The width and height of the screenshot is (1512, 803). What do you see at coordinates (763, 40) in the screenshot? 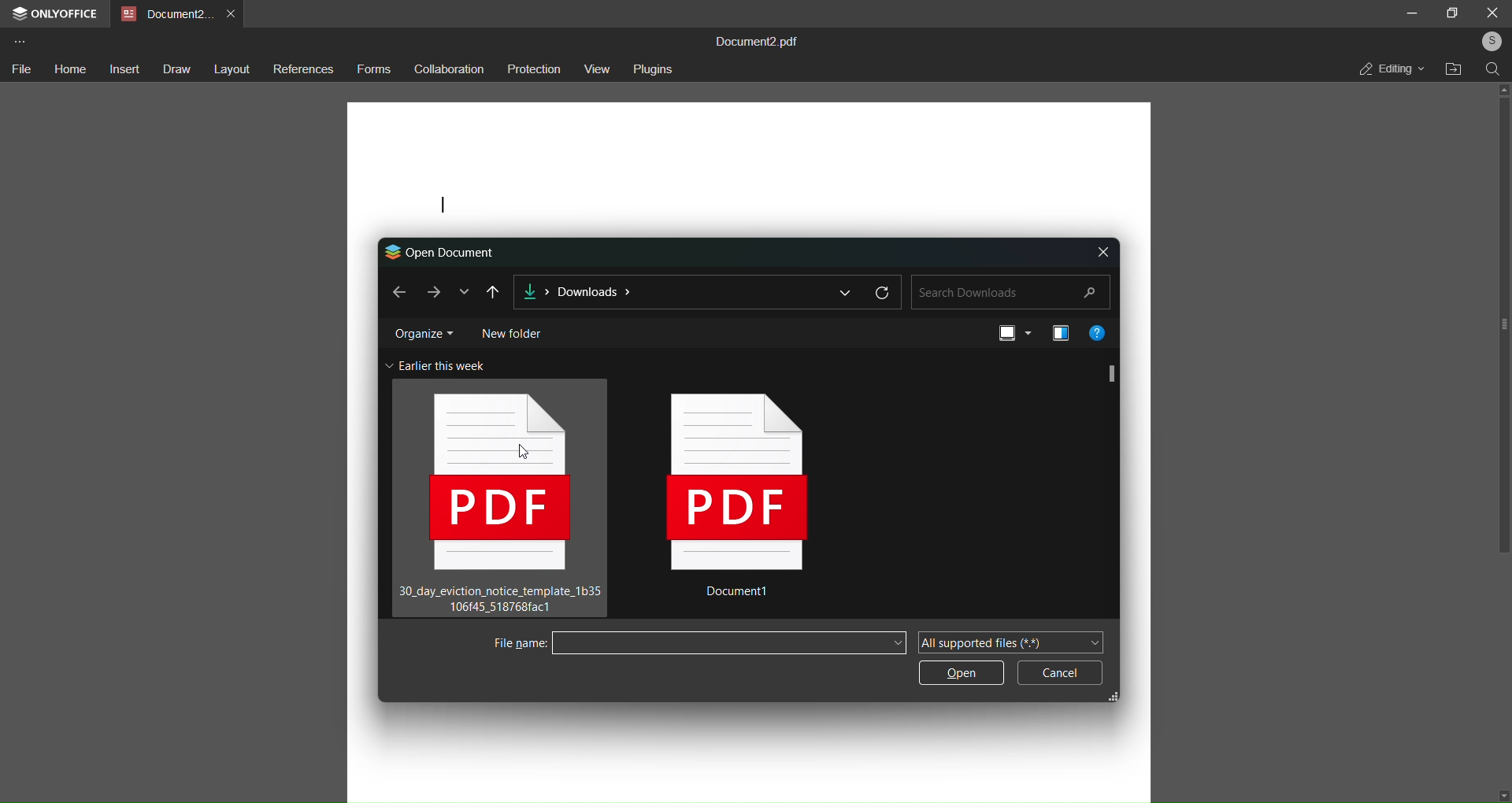
I see `title` at bounding box center [763, 40].